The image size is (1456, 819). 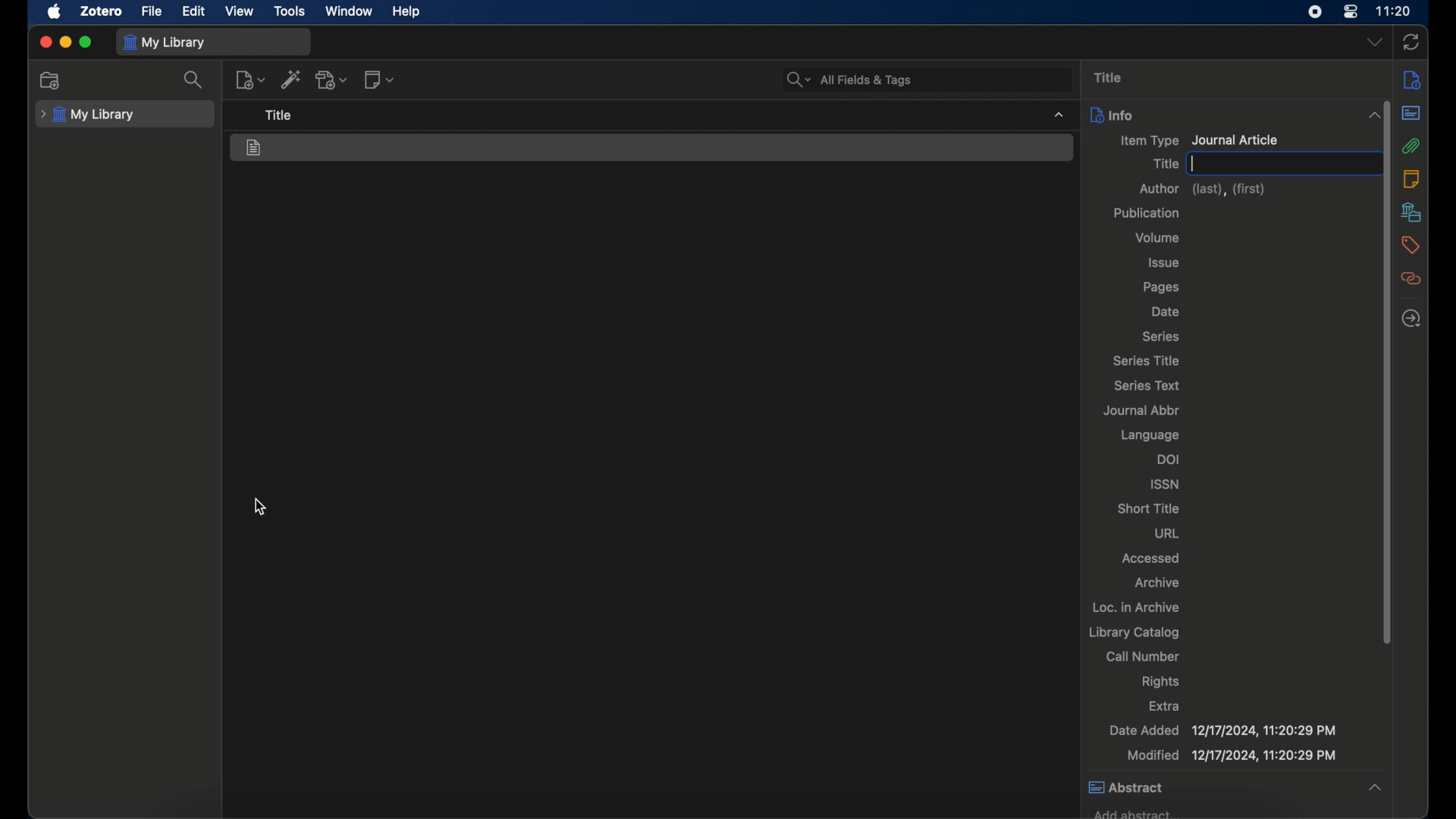 I want to click on time, so click(x=1395, y=11).